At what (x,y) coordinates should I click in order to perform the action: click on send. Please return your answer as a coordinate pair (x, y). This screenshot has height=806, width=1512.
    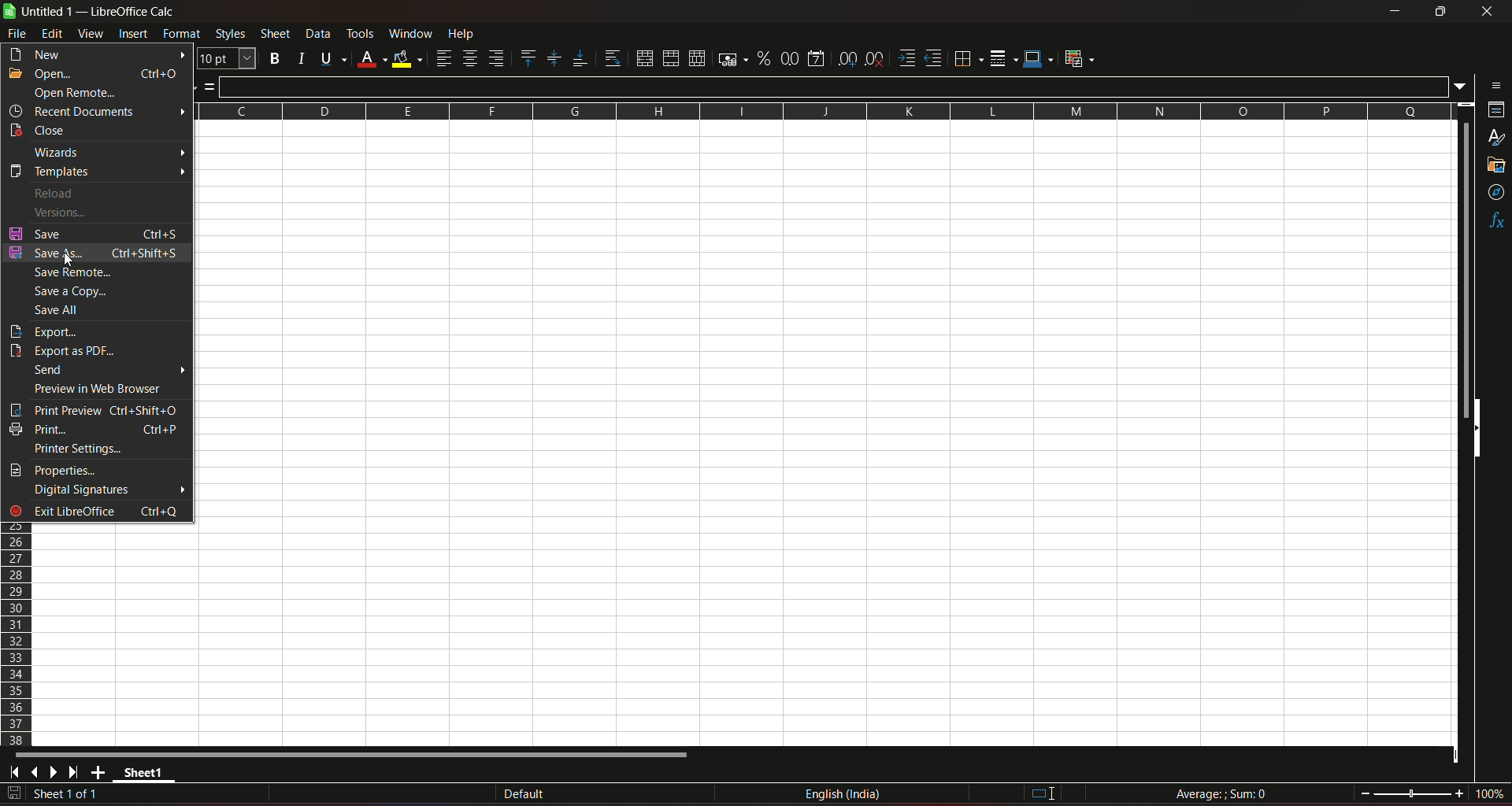
    Looking at the image, I should click on (108, 371).